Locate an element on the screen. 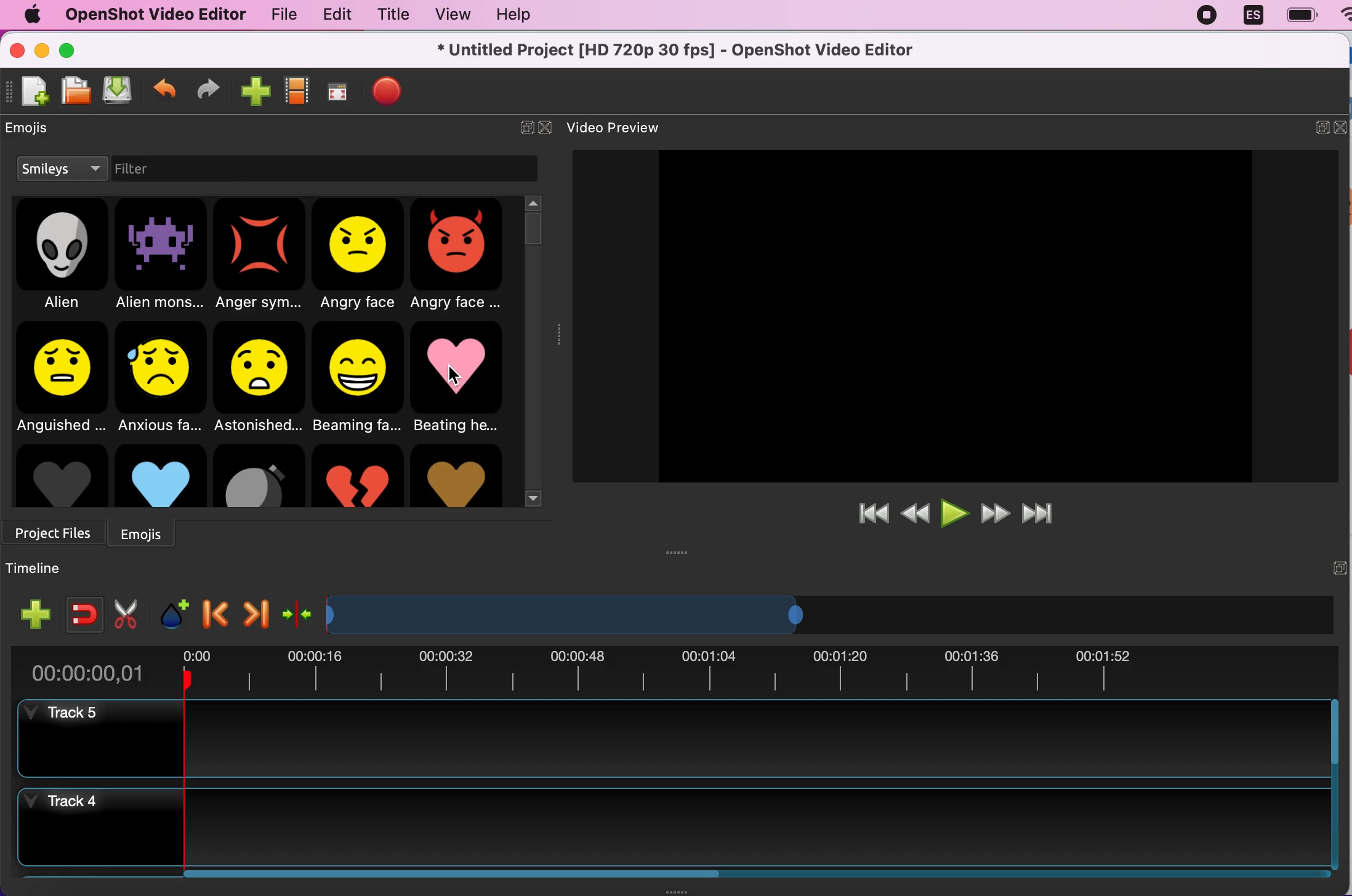 Image resolution: width=1352 pixels, height=896 pixels. angry face is located at coordinates (360, 256).